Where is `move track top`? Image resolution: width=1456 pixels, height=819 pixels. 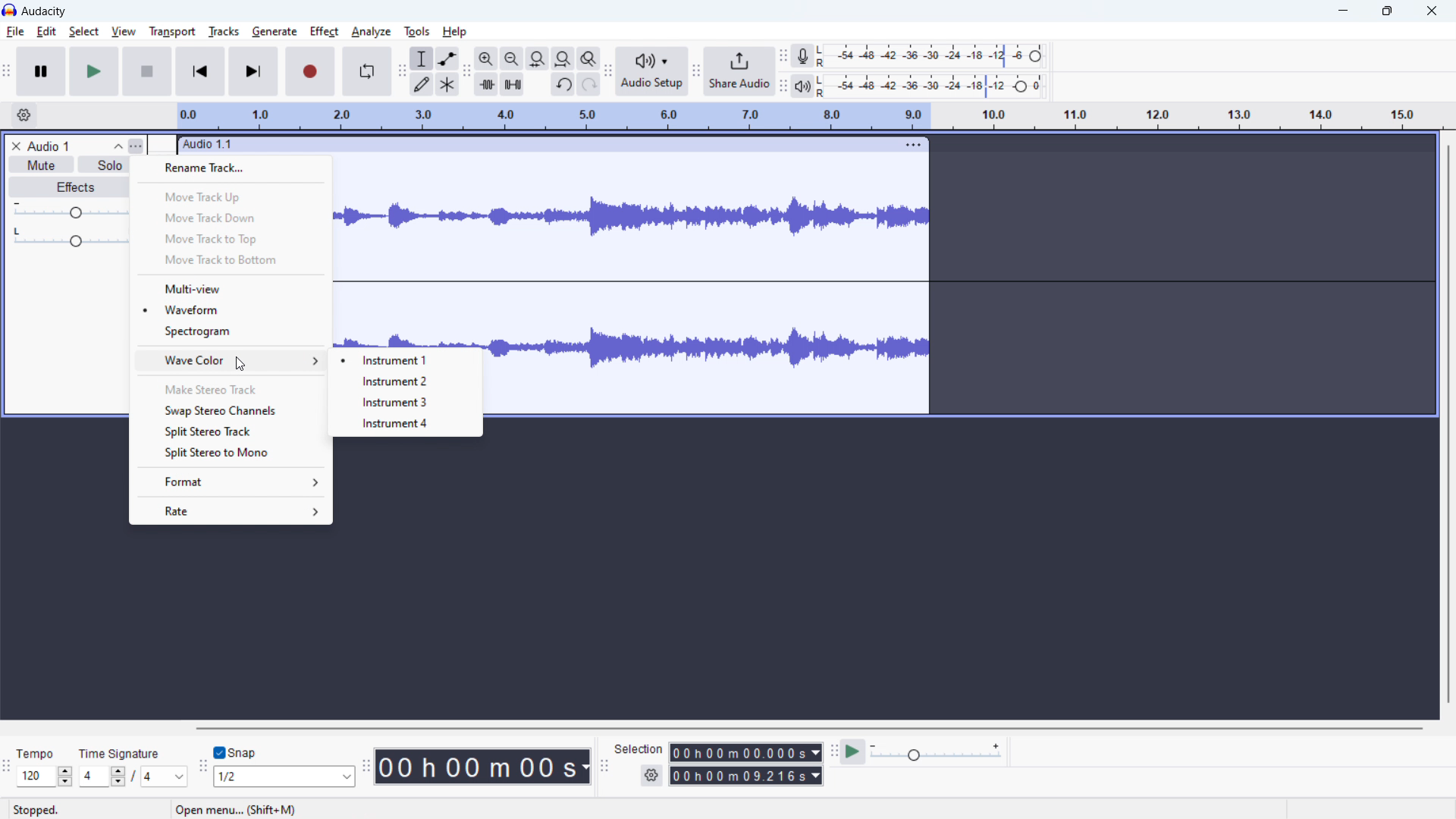 move track top is located at coordinates (229, 196).